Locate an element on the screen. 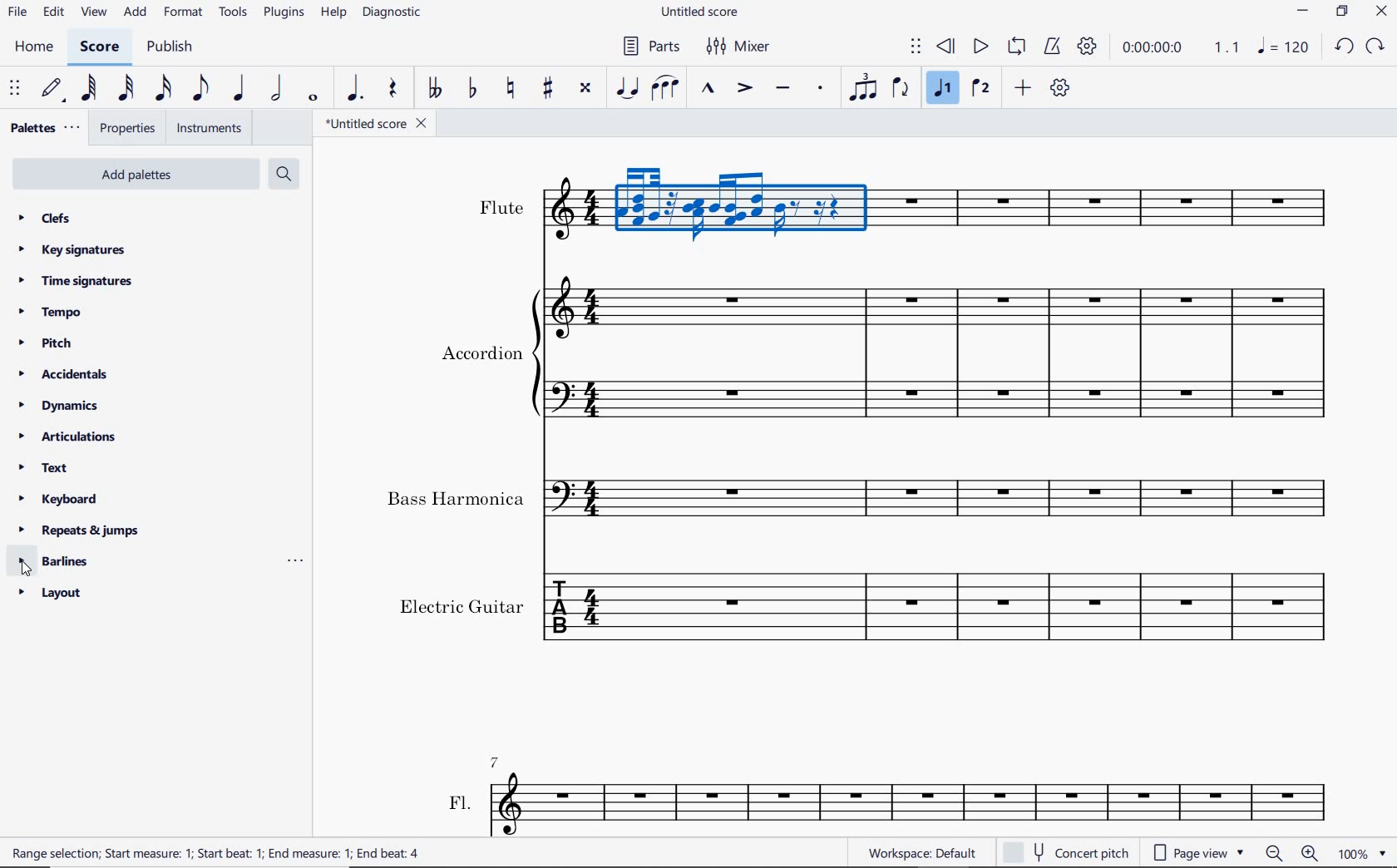 Image resolution: width=1397 pixels, height=868 pixels. palettes is located at coordinates (43, 128).